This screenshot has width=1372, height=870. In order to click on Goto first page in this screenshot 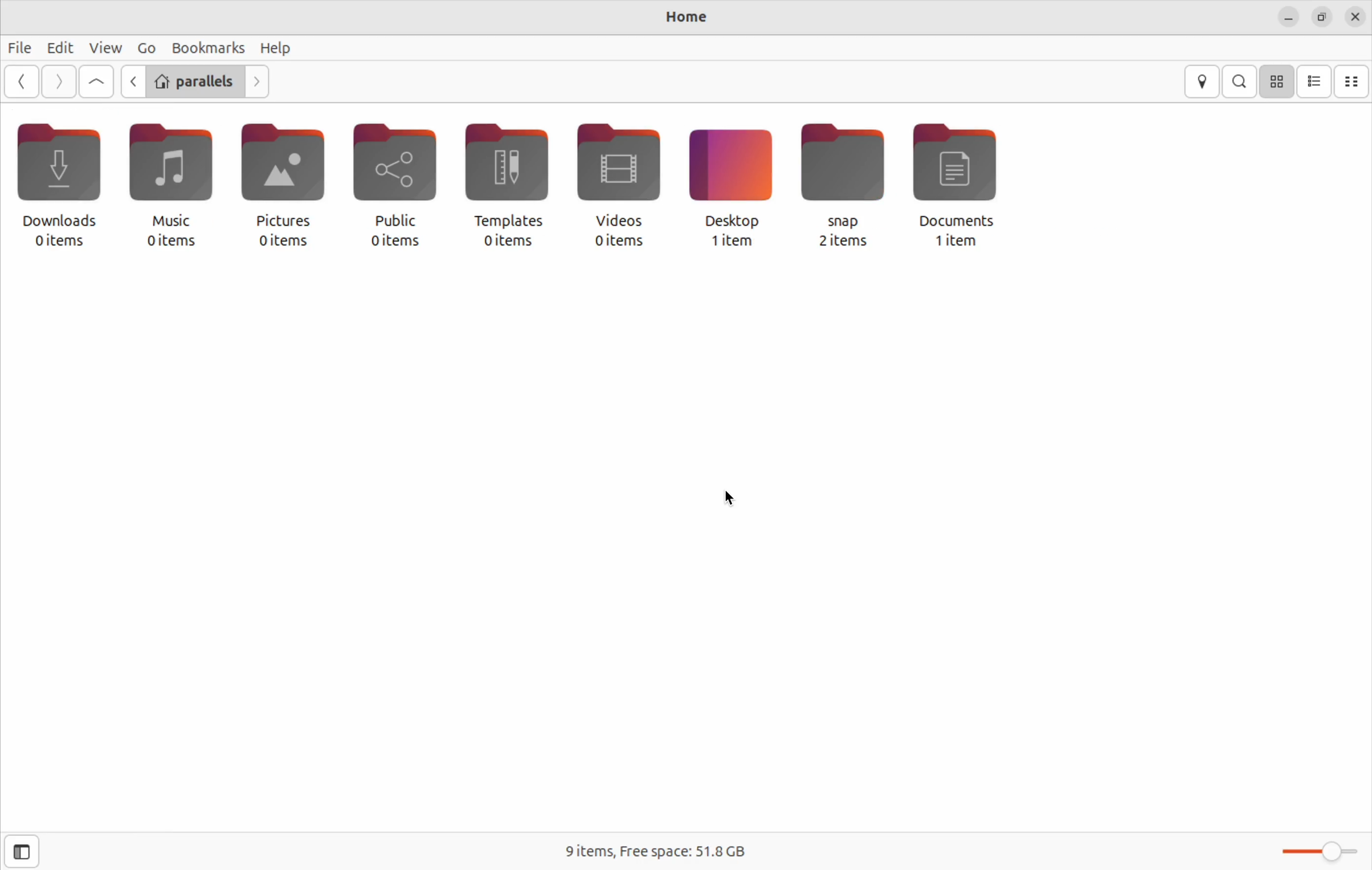, I will do `click(96, 83)`.